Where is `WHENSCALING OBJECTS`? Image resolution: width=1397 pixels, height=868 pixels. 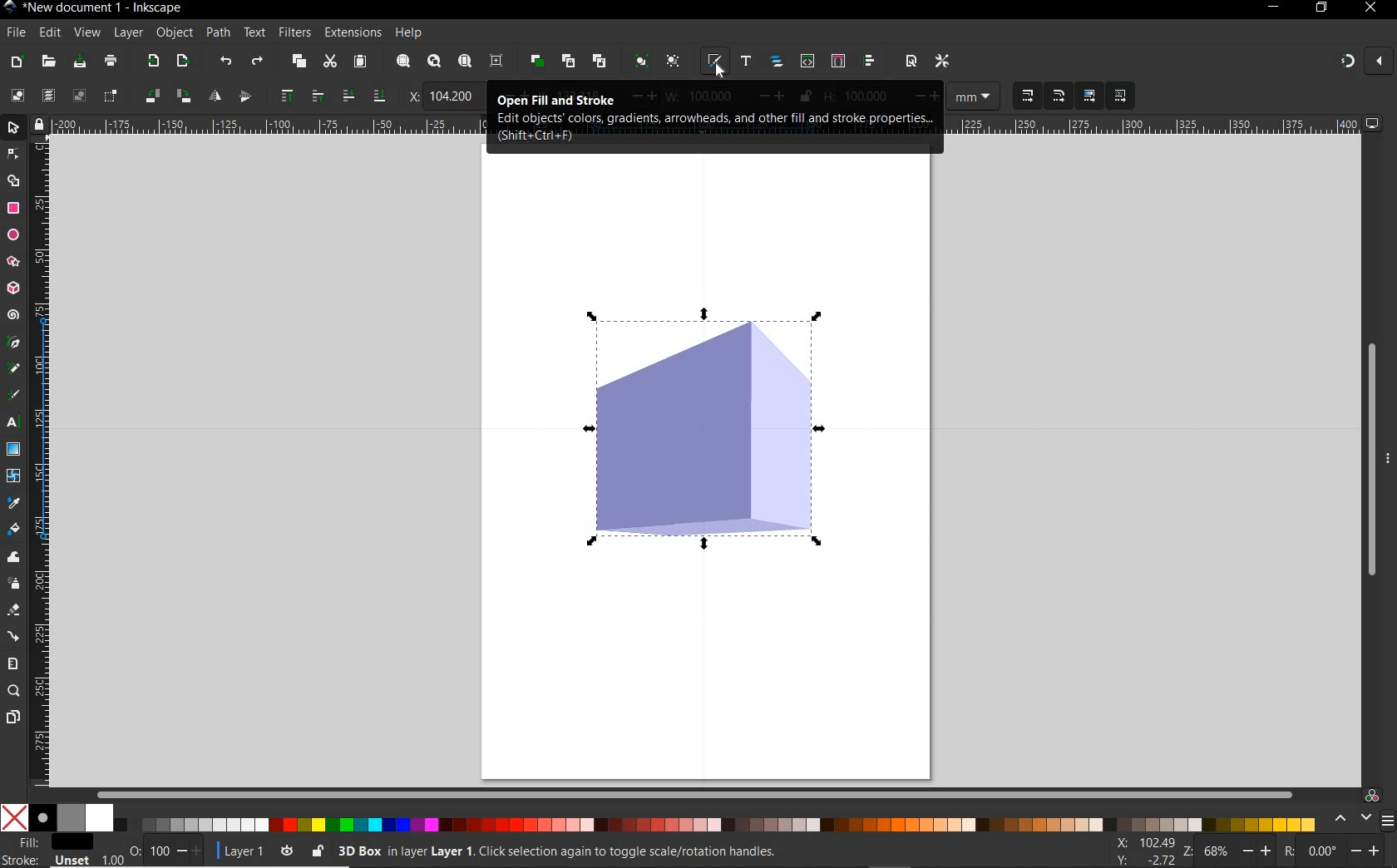 WHENSCALING OBJECTS is located at coordinates (1059, 96).